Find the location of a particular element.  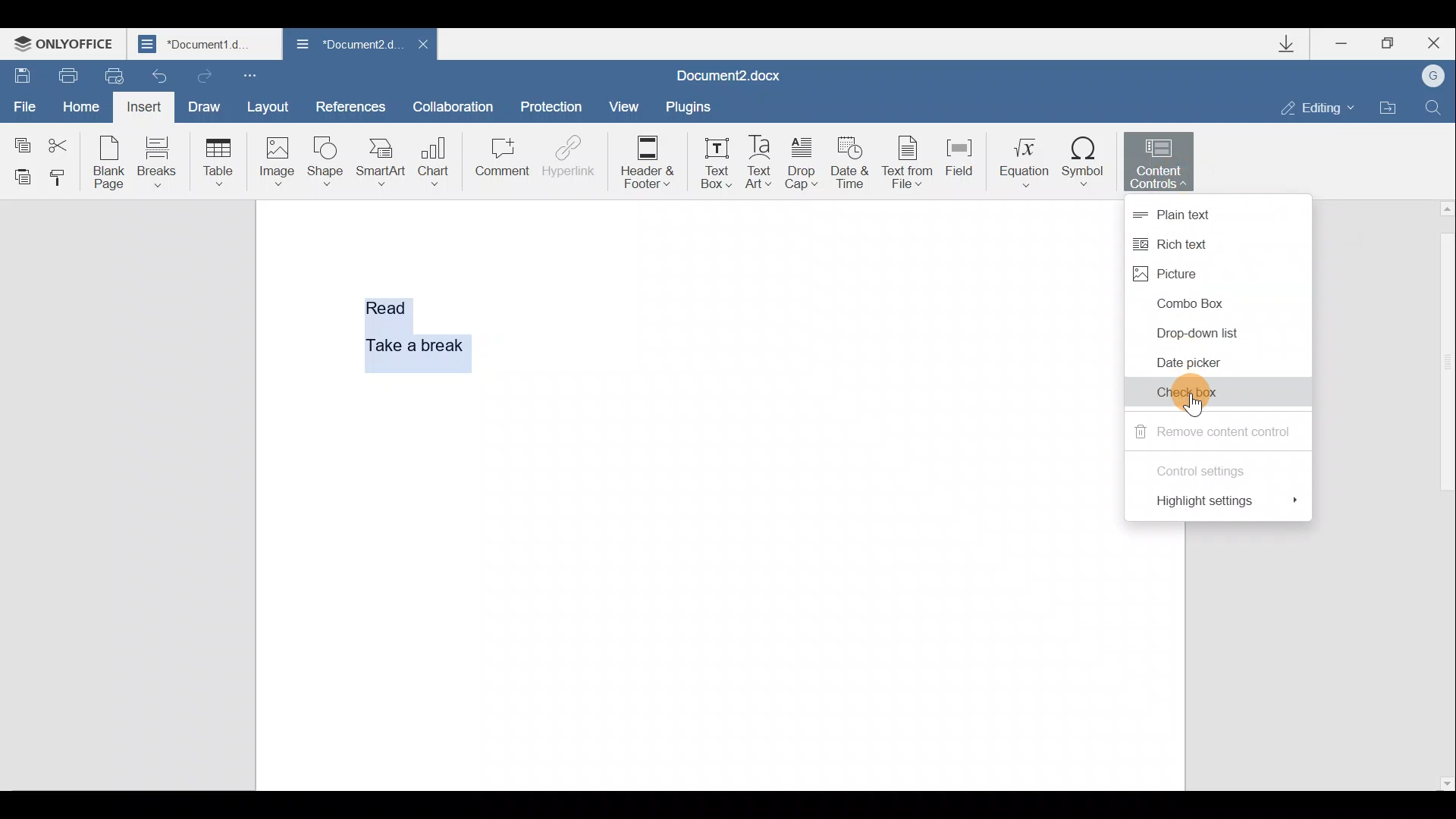

Find is located at coordinates (1435, 105).